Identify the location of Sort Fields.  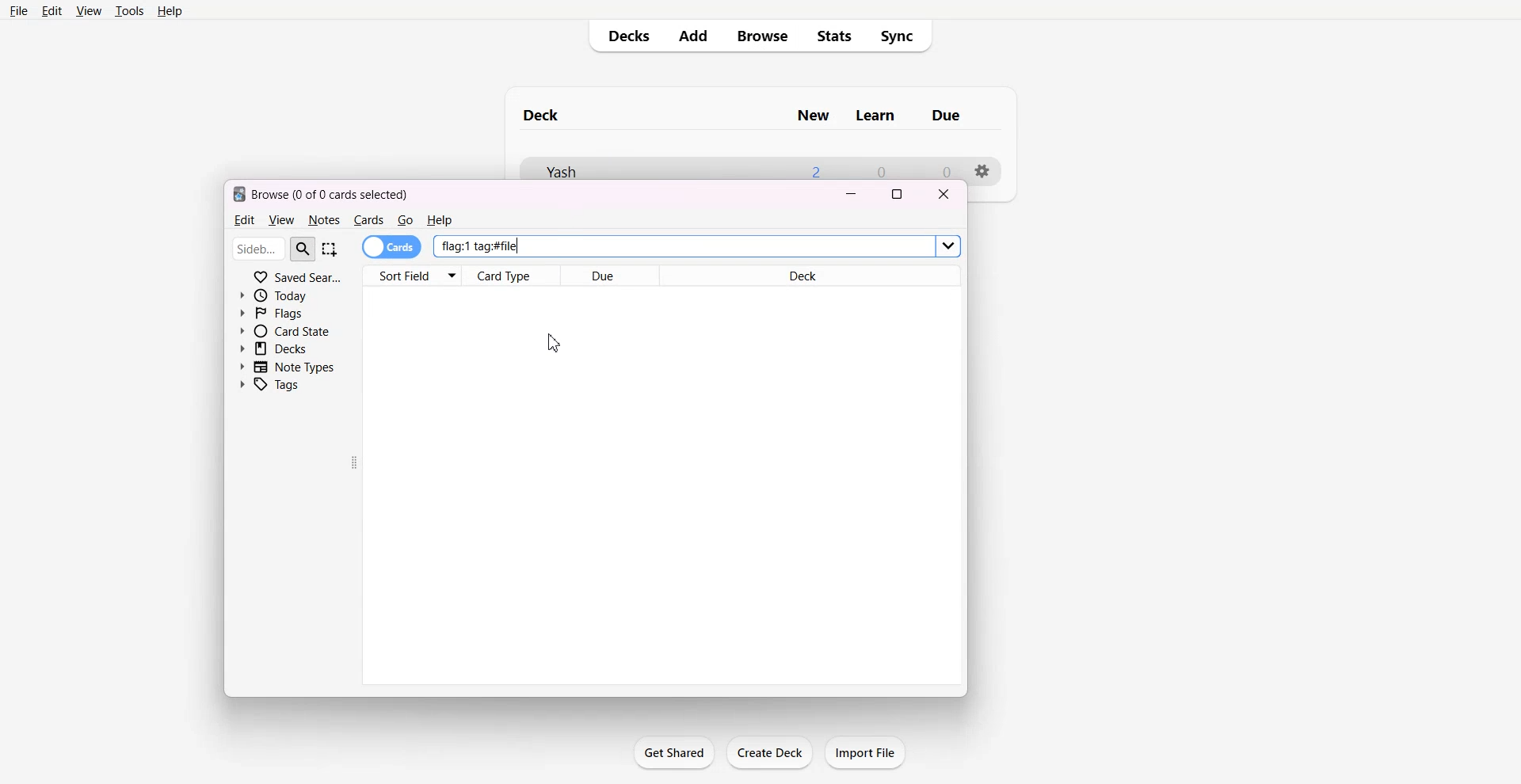
(412, 276).